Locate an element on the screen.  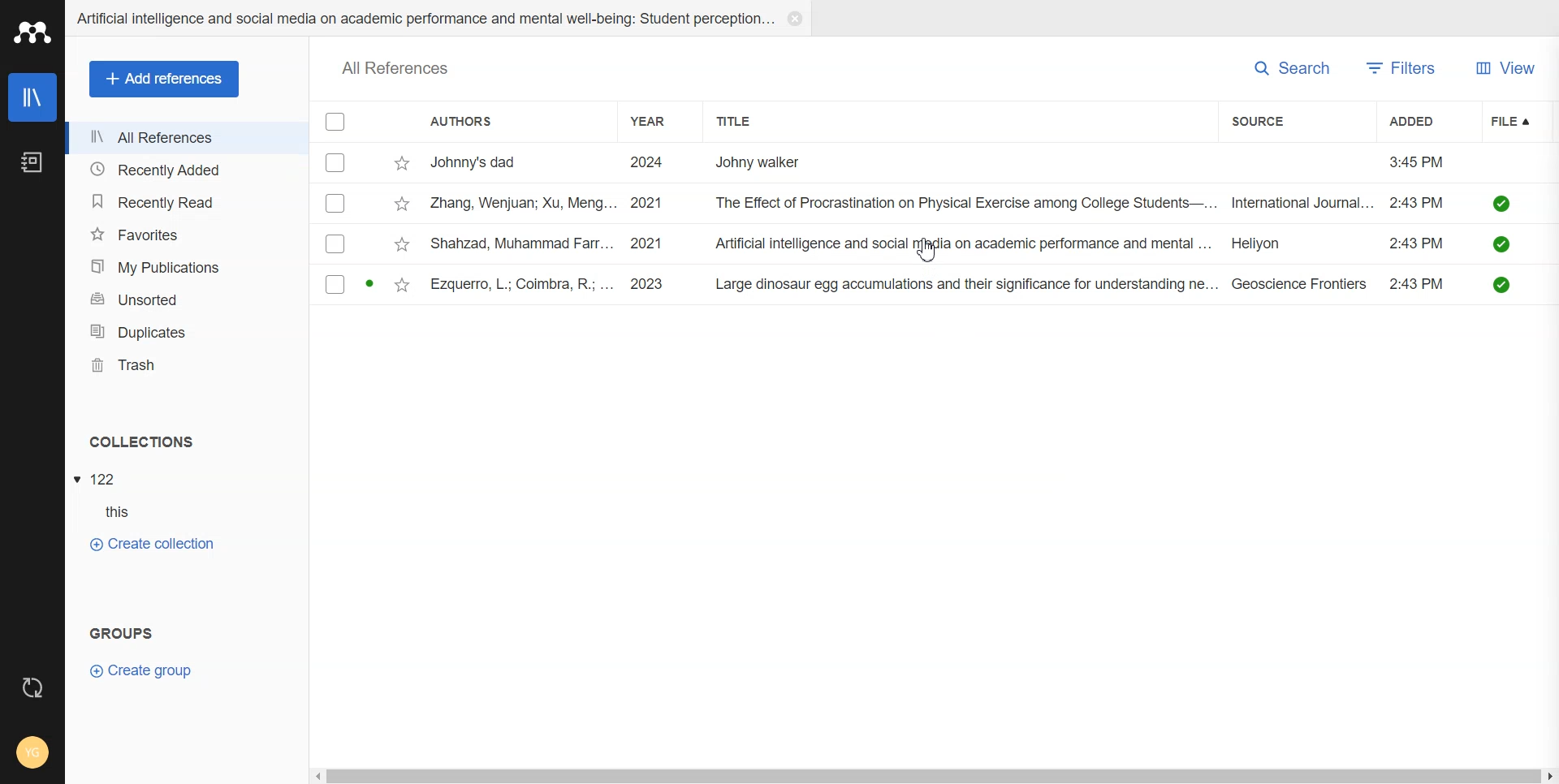
Add references is located at coordinates (165, 80).